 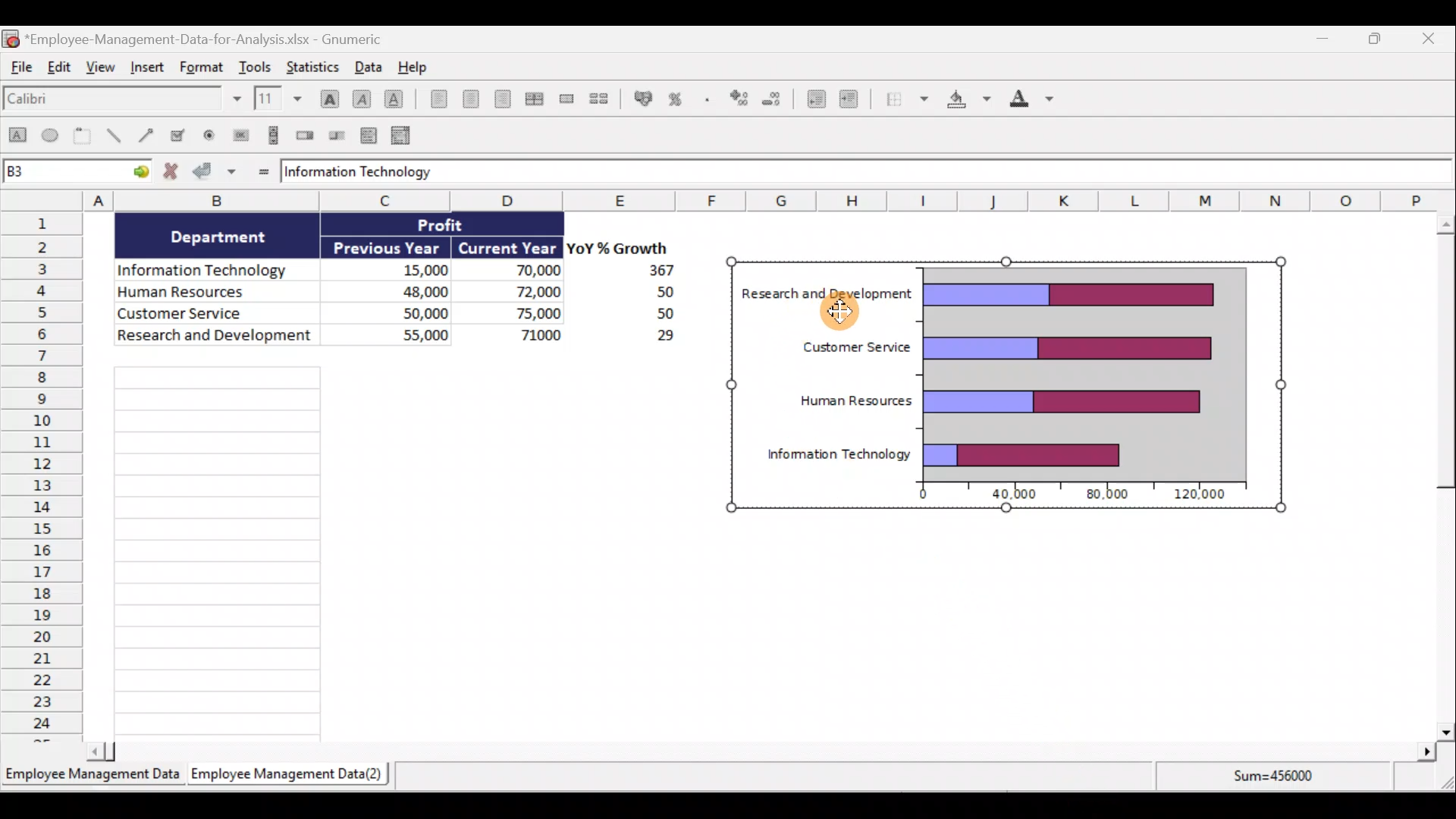 I want to click on Split a merged range of cells, so click(x=605, y=100).